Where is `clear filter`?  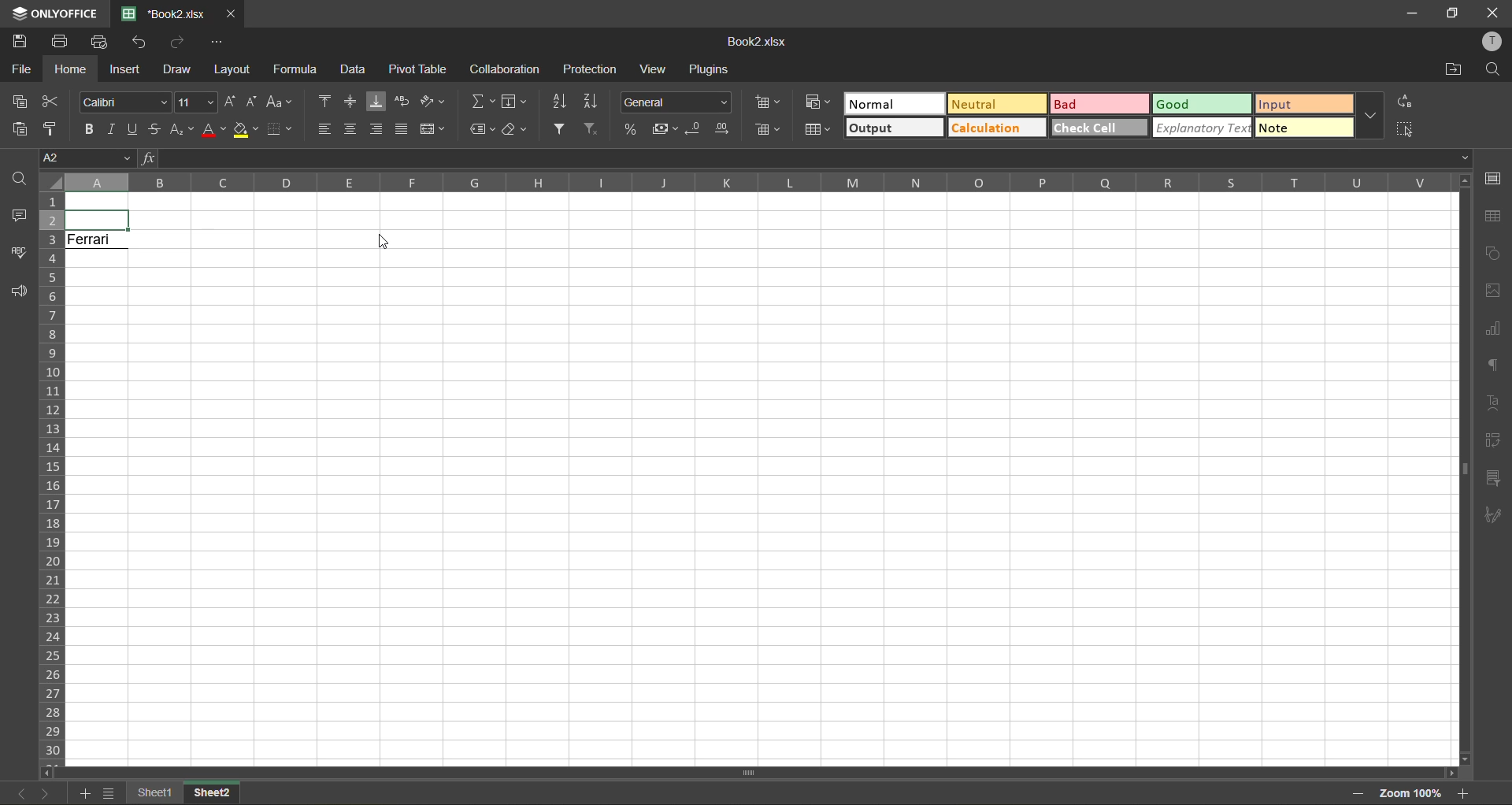 clear filter is located at coordinates (595, 129).